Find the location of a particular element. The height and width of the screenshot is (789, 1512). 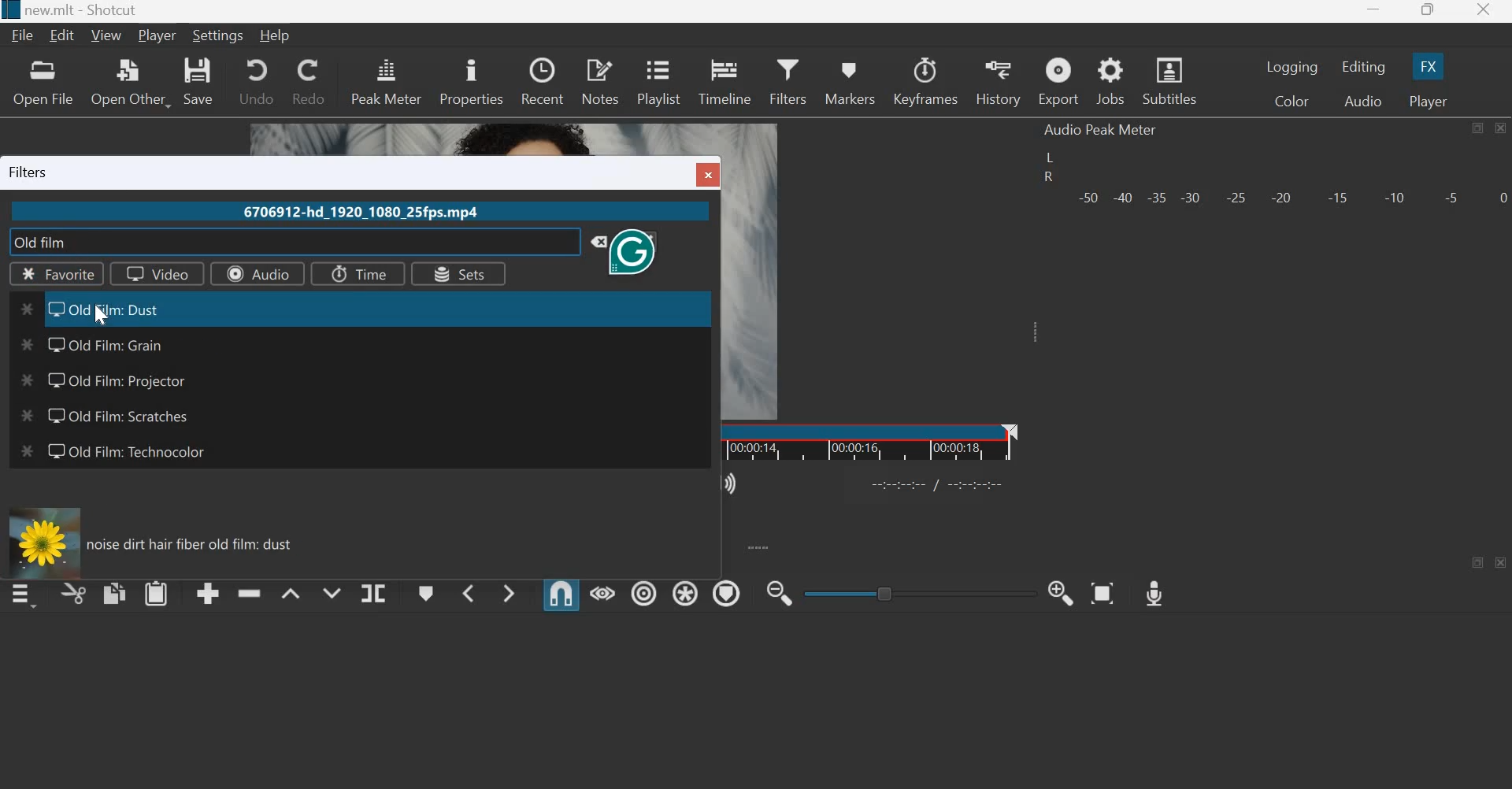

 Zoom Timeline in is located at coordinates (1060, 591).